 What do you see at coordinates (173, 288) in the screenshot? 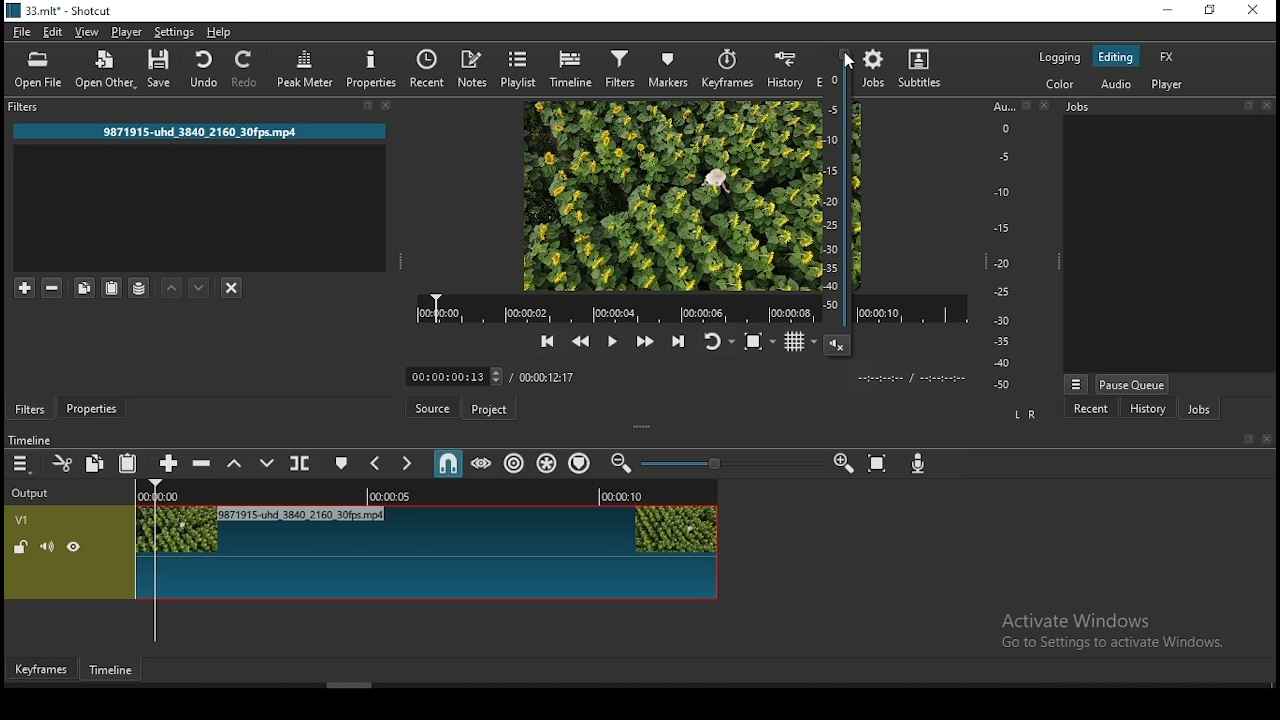
I see `move filter up` at bounding box center [173, 288].